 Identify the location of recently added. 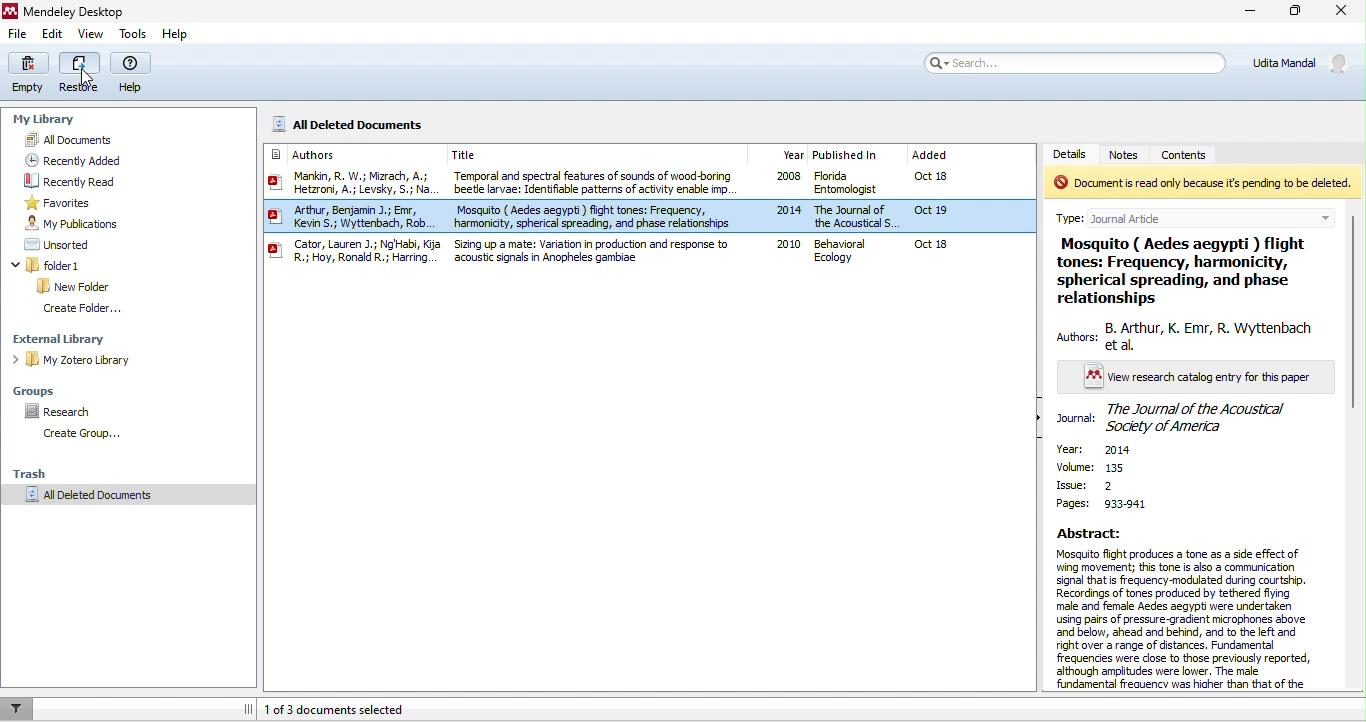
(97, 158).